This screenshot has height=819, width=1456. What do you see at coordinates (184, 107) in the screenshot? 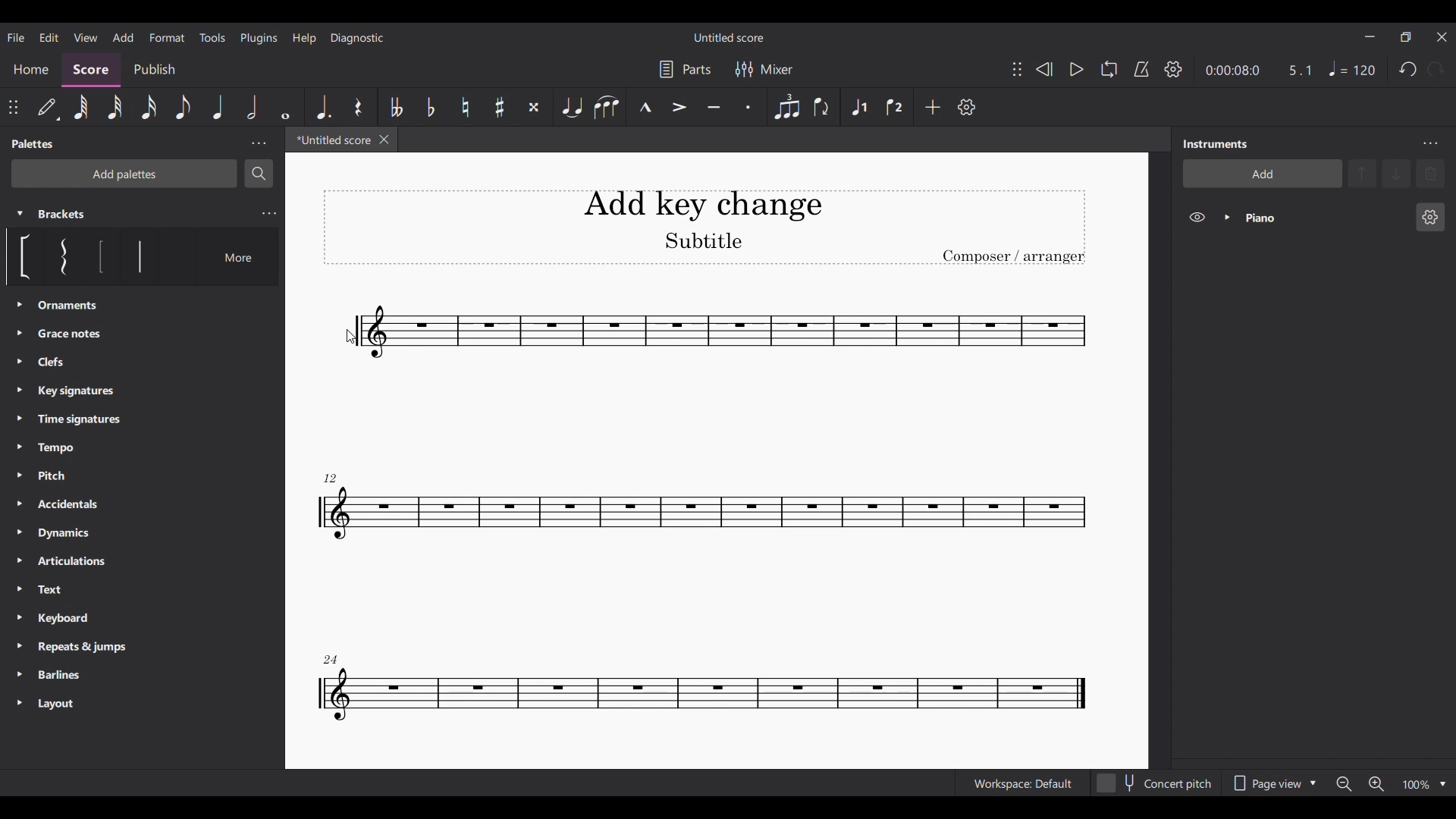
I see `8th note` at bounding box center [184, 107].